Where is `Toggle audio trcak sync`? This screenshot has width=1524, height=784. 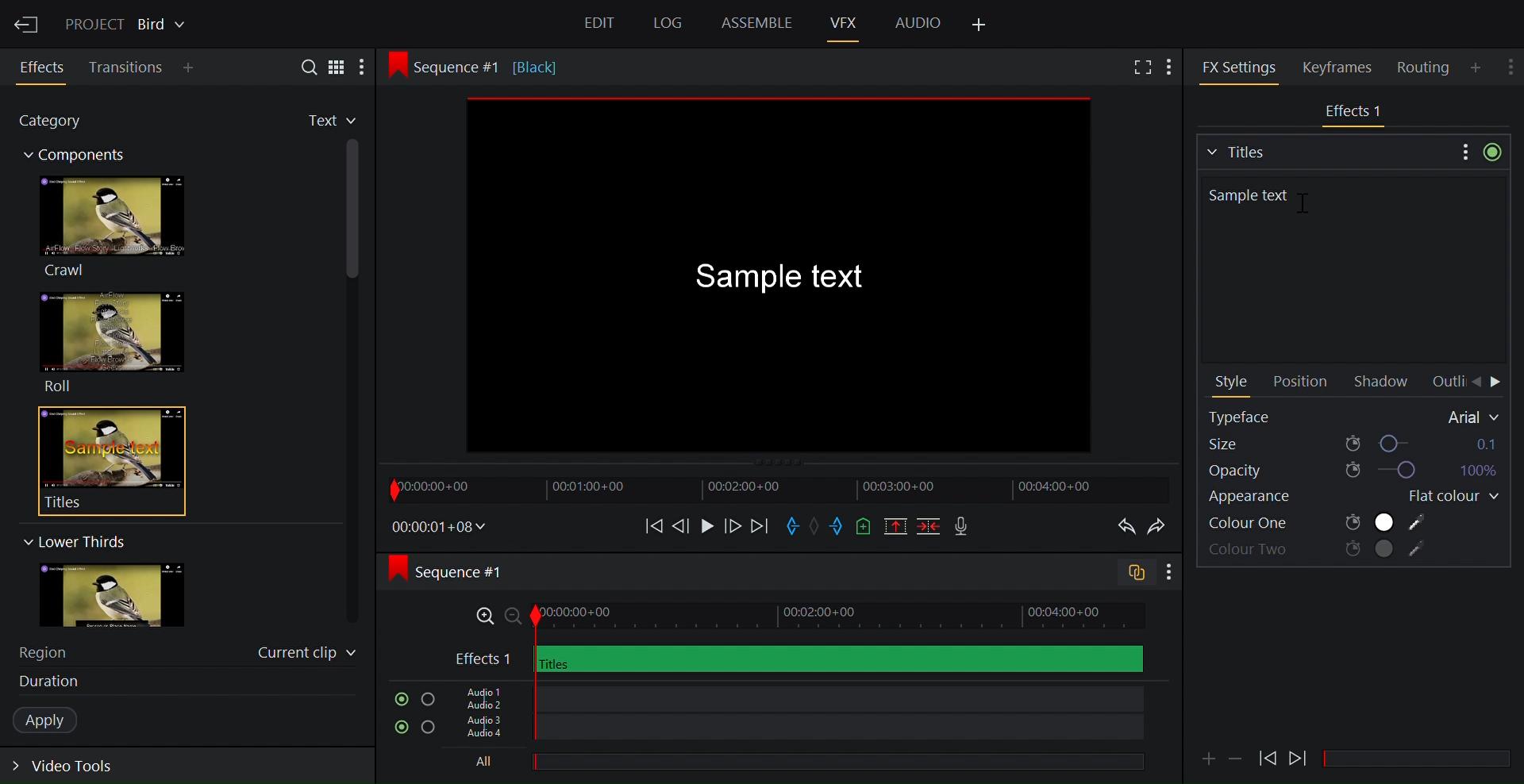 Toggle audio trcak sync is located at coordinates (1130, 575).